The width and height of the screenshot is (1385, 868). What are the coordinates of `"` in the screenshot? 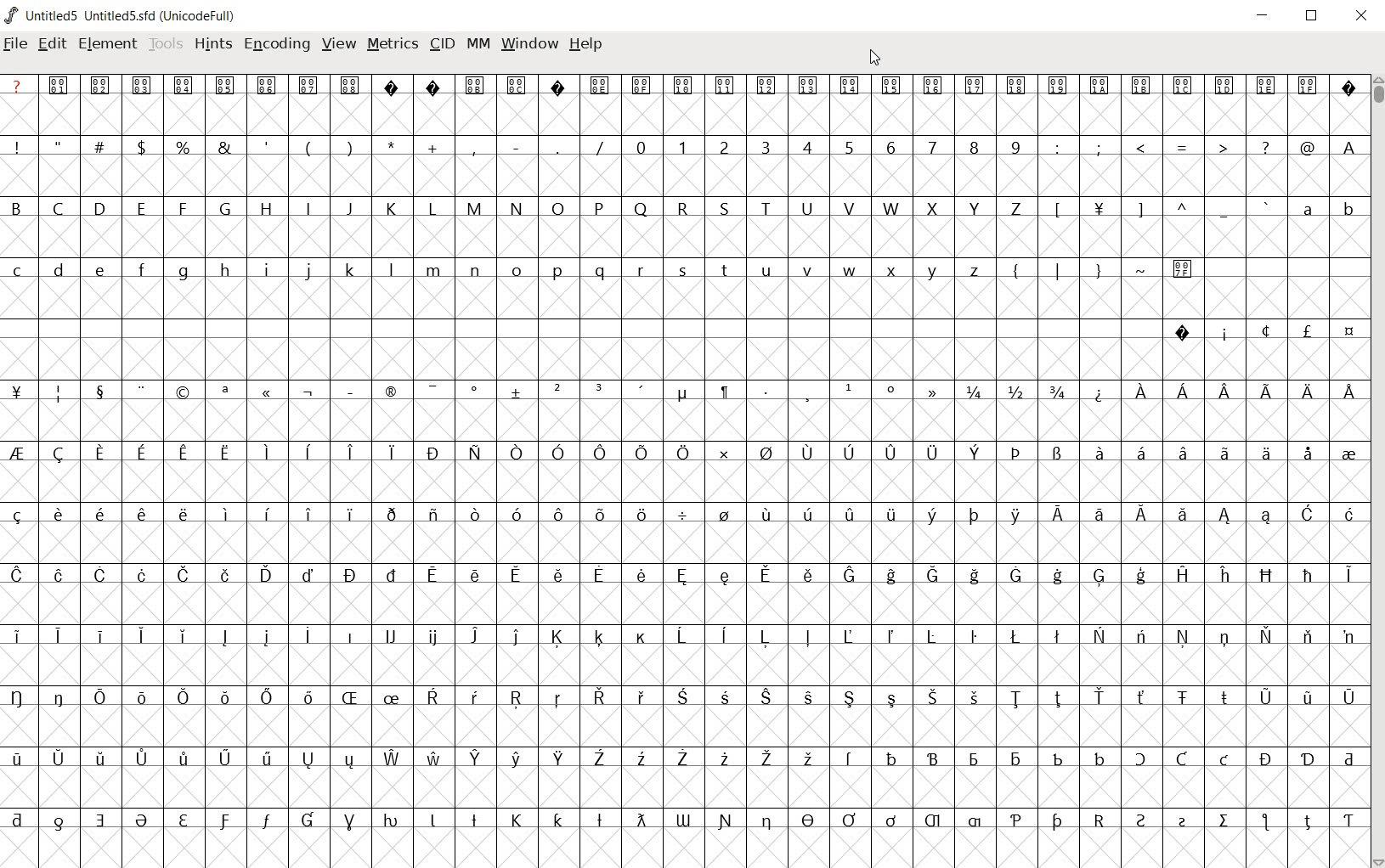 It's located at (61, 146).